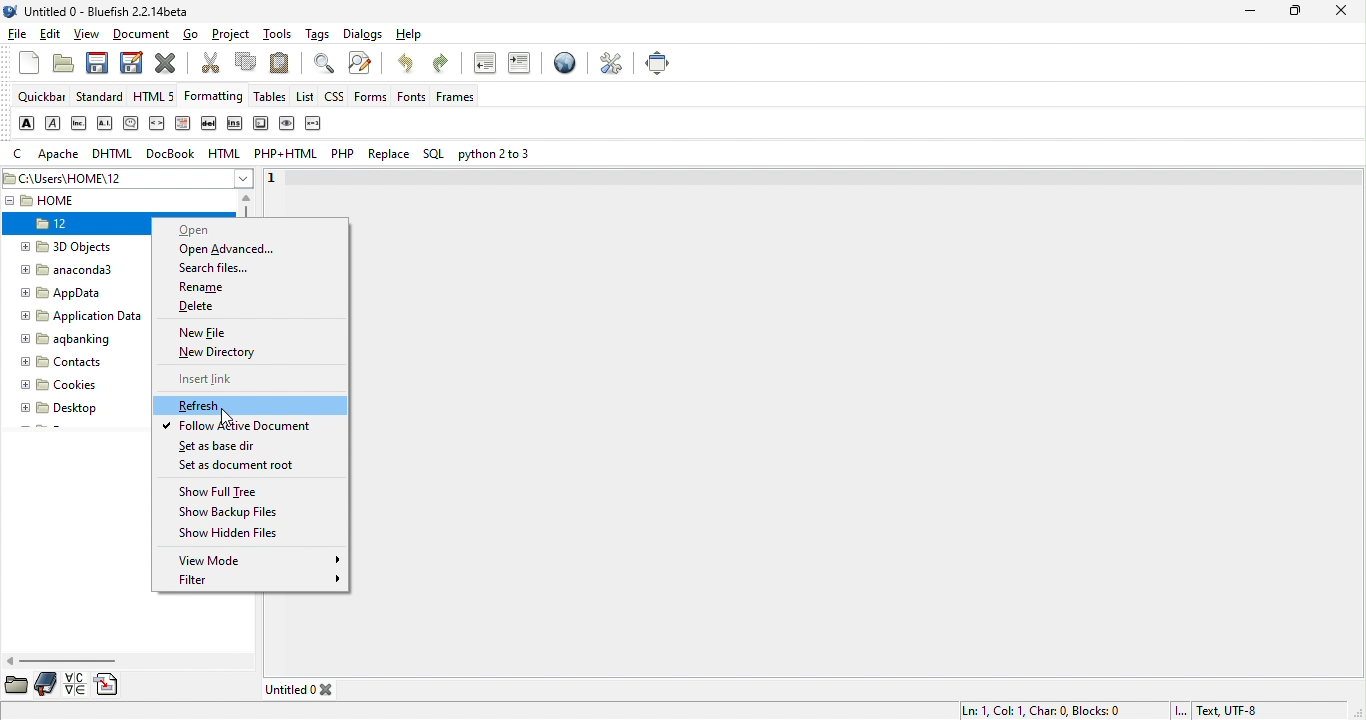  Describe the element at coordinates (17, 685) in the screenshot. I see `file browser` at that location.